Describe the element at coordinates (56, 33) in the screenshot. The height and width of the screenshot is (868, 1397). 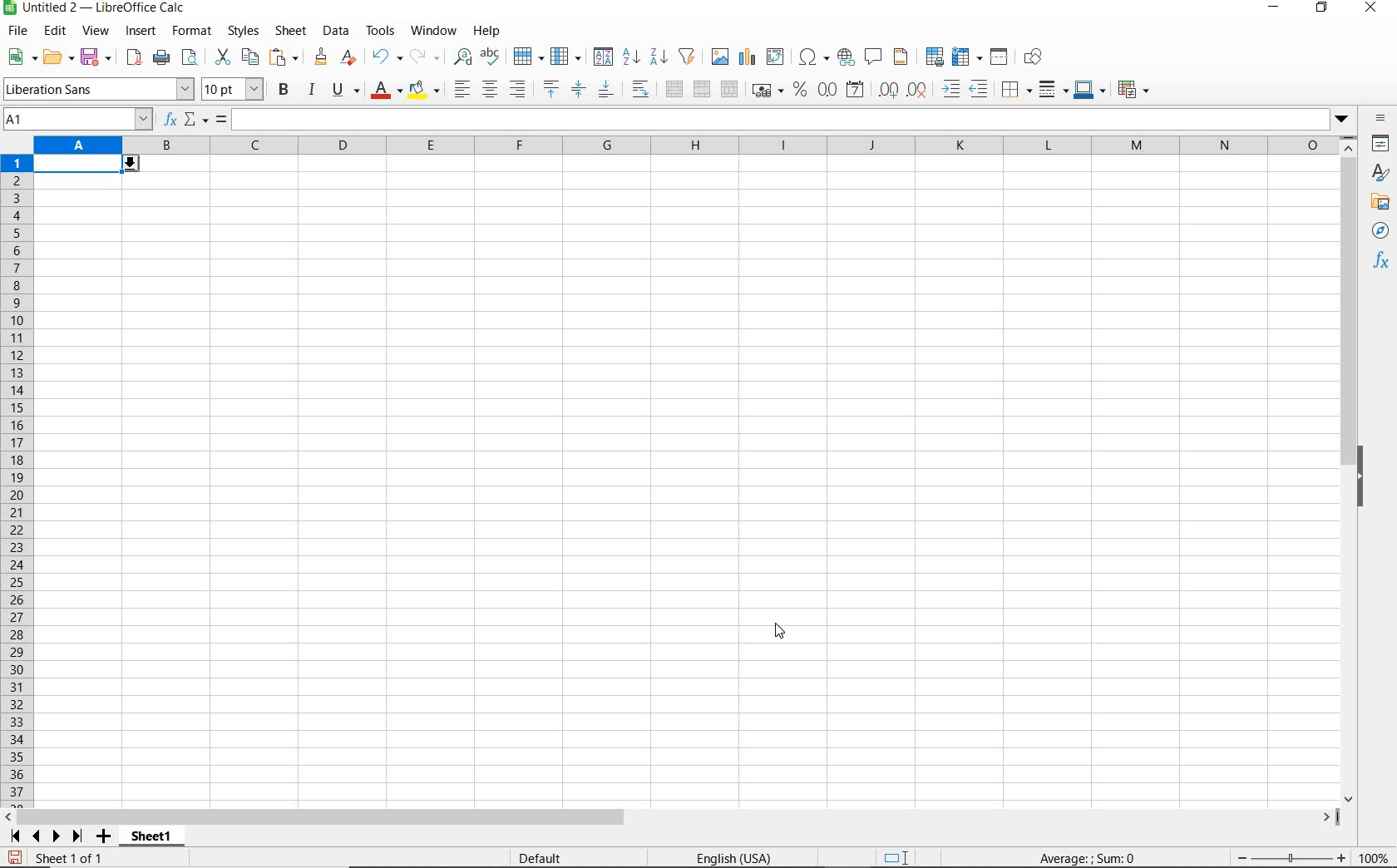
I see `edit` at that location.